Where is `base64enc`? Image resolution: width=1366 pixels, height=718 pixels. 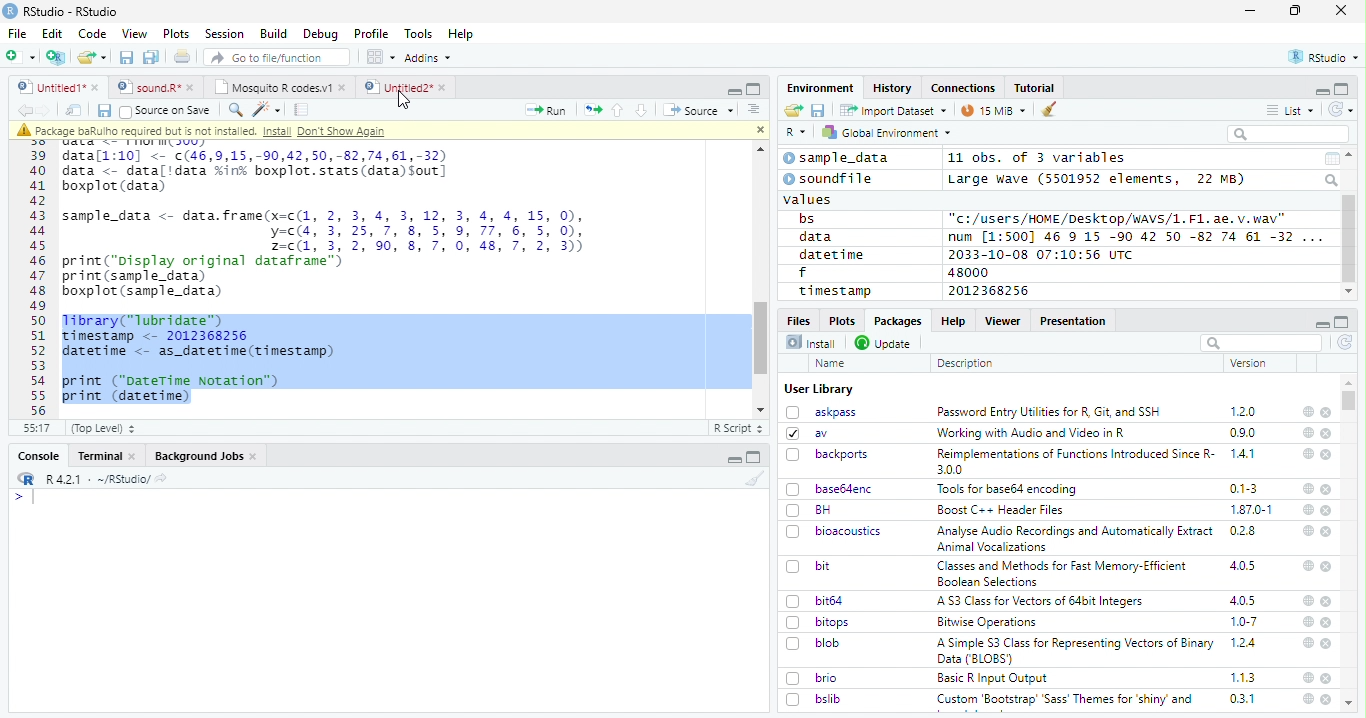 base64enc is located at coordinates (830, 488).